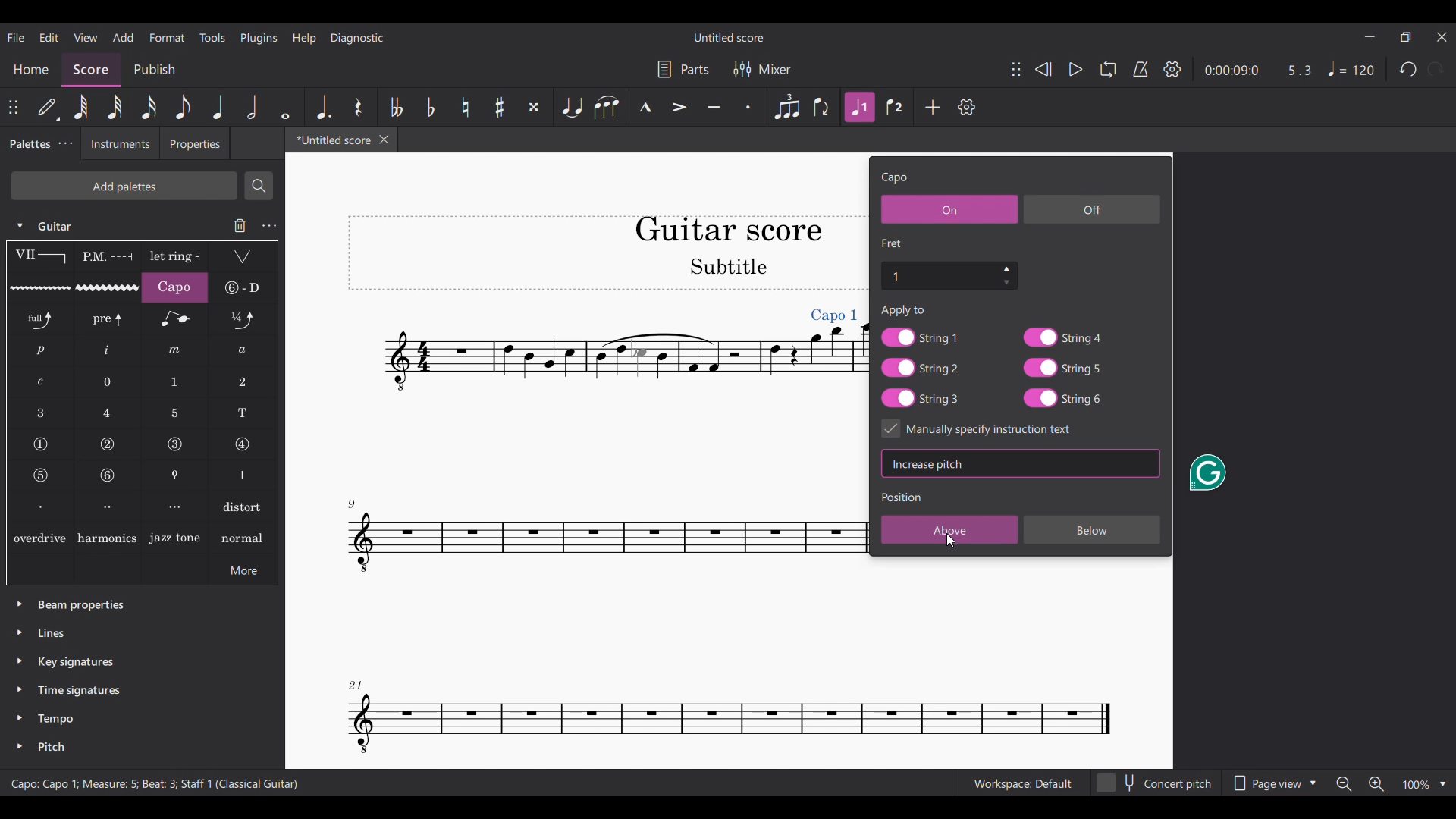 Image resolution: width=1456 pixels, height=819 pixels. I want to click on Close tab, so click(384, 140).